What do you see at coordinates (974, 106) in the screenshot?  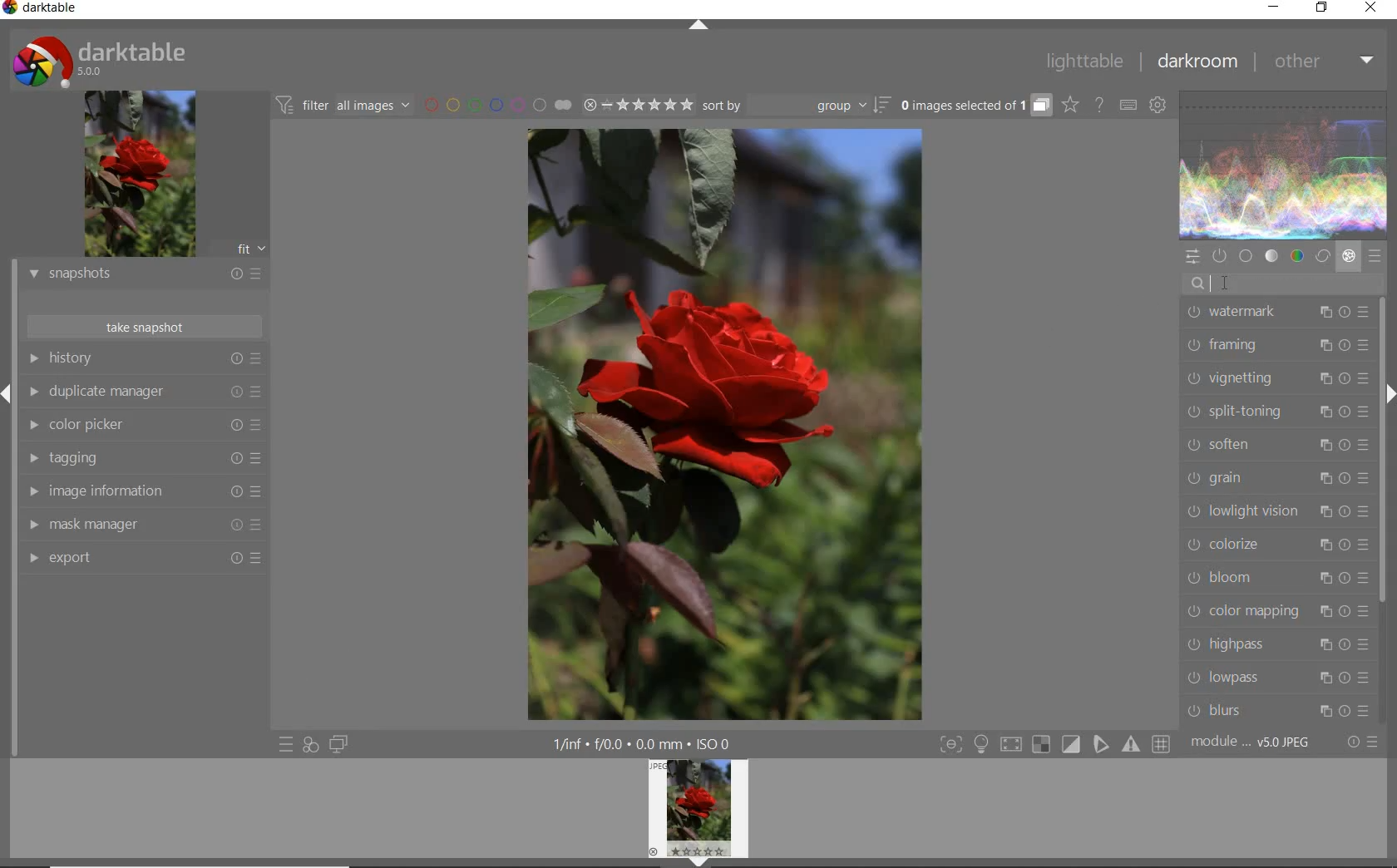 I see `grouped images` at bounding box center [974, 106].